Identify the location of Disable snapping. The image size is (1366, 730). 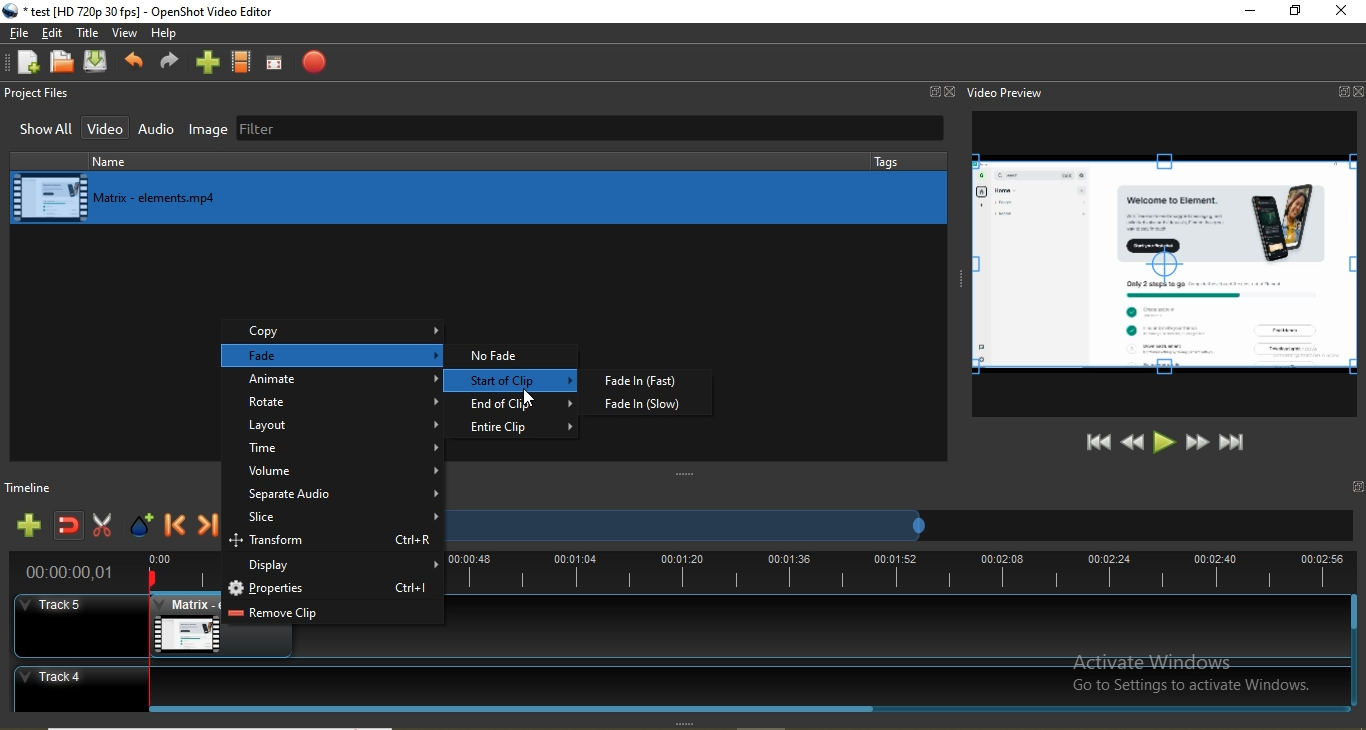
(70, 528).